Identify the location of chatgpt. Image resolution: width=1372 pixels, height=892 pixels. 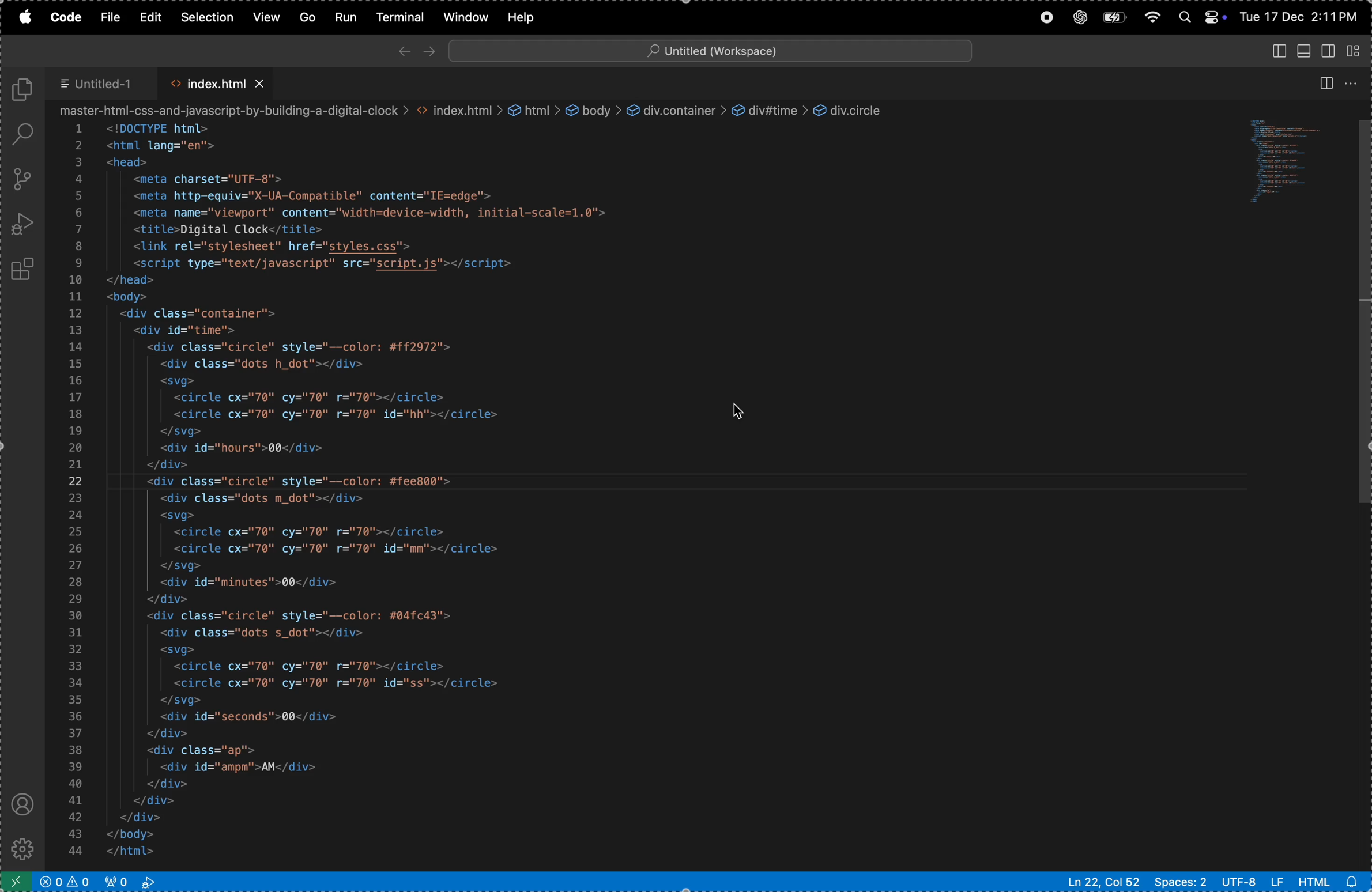
(1076, 17).